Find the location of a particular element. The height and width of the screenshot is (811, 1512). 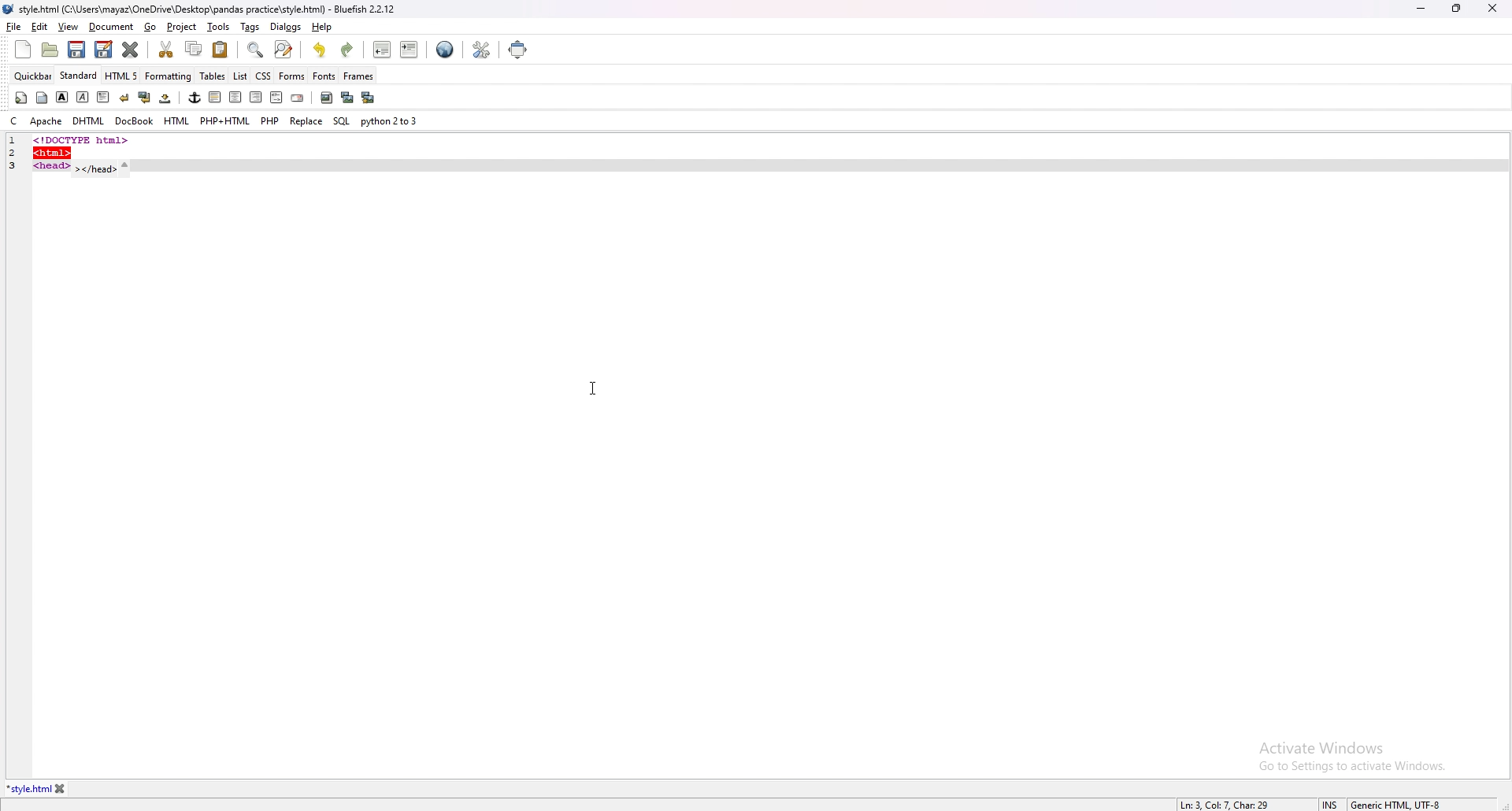

open is located at coordinates (52, 50).